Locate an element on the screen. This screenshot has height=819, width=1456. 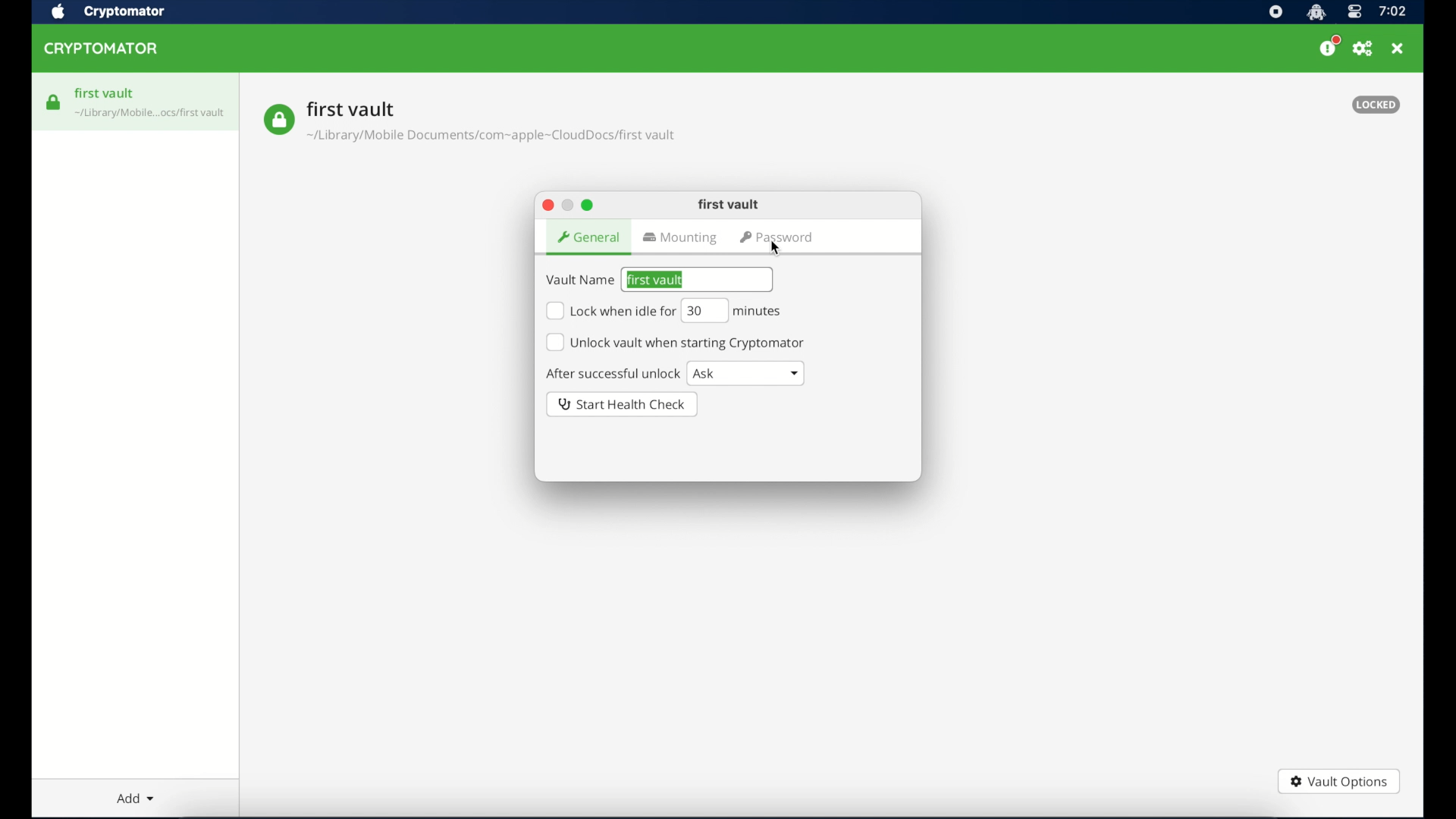
vault icon is located at coordinates (151, 115).